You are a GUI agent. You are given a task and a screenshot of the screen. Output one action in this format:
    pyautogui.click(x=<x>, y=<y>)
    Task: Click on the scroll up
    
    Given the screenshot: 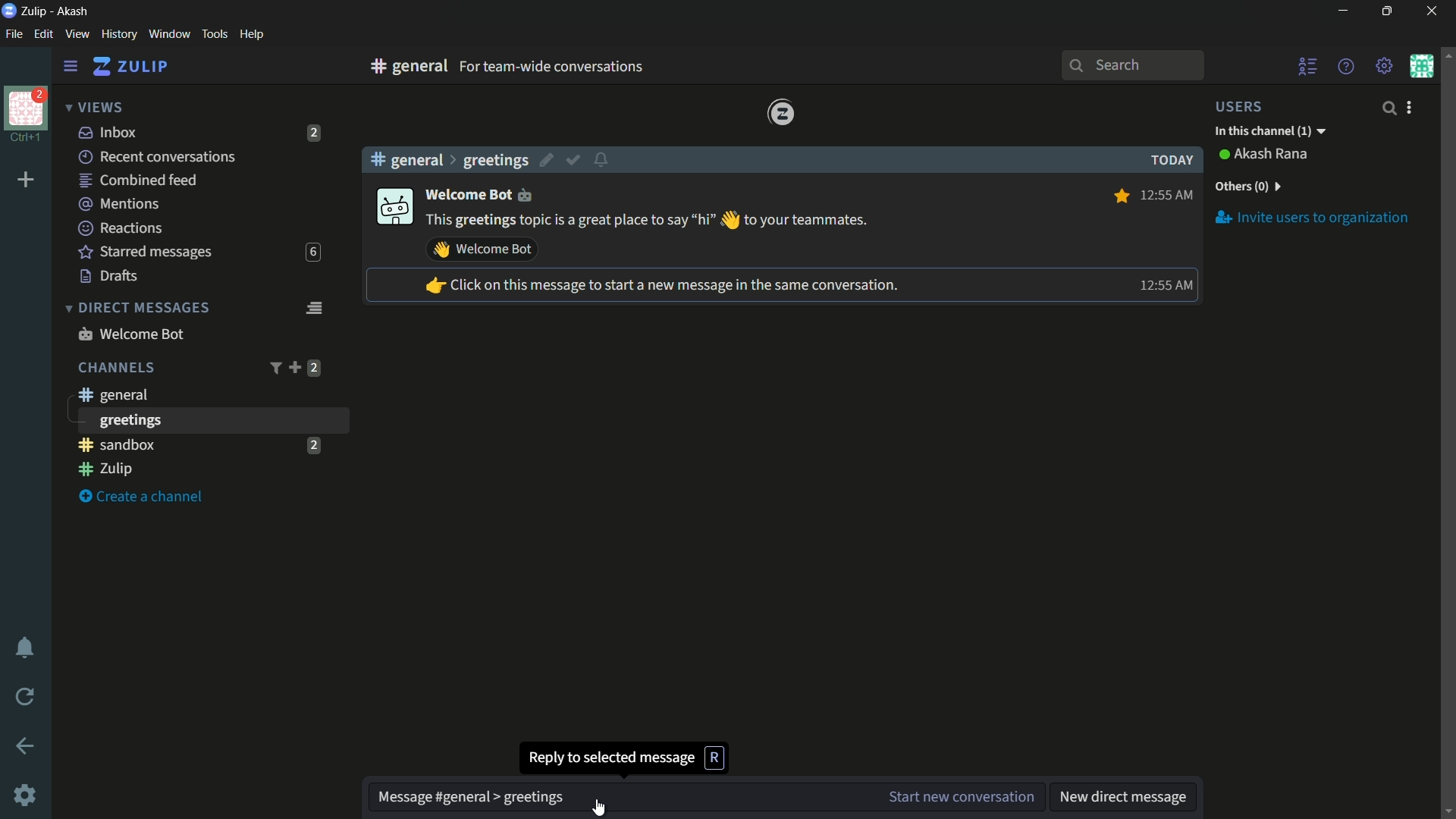 What is the action you would take?
    pyautogui.click(x=1447, y=54)
    